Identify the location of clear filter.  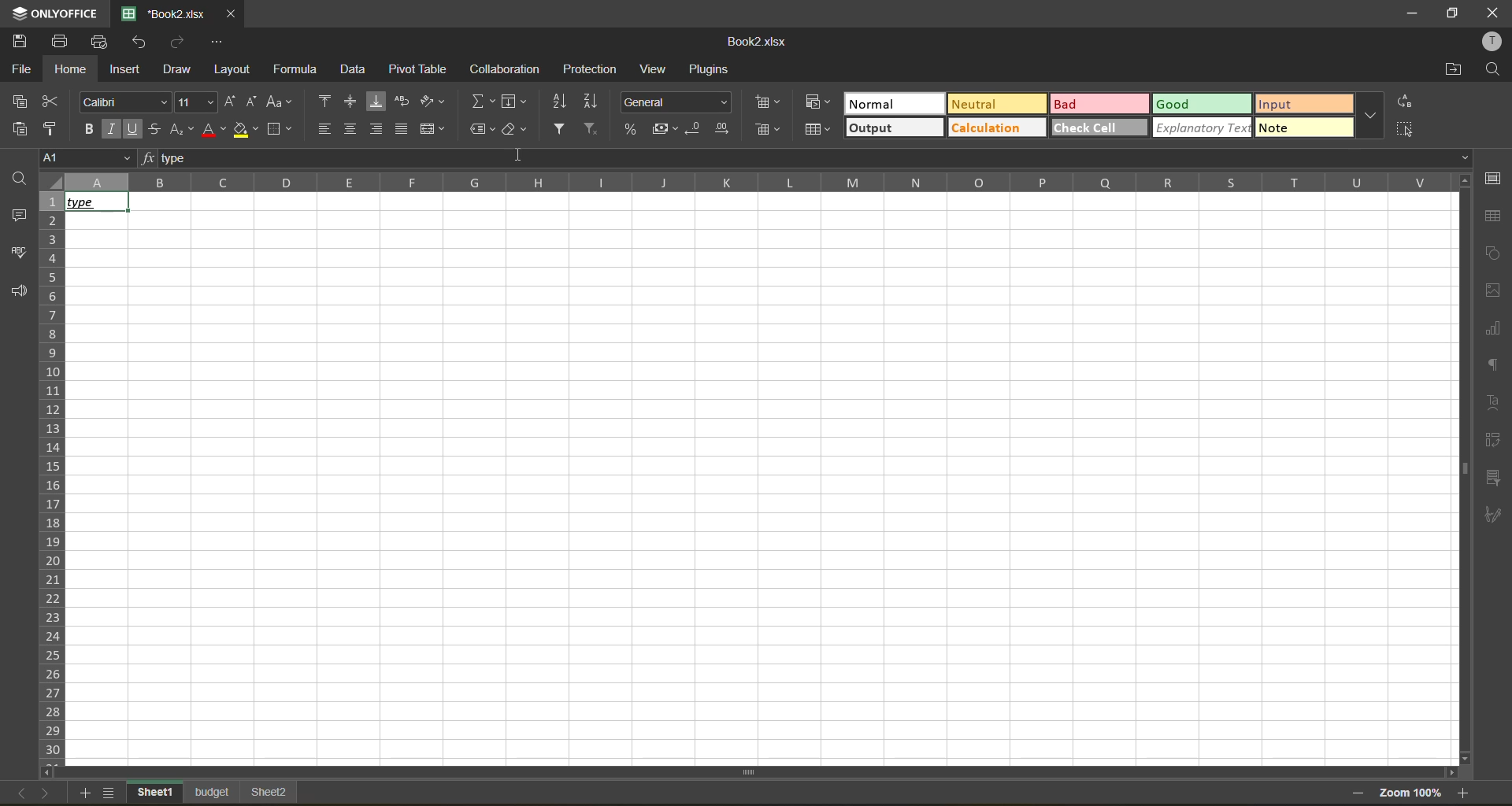
(591, 131).